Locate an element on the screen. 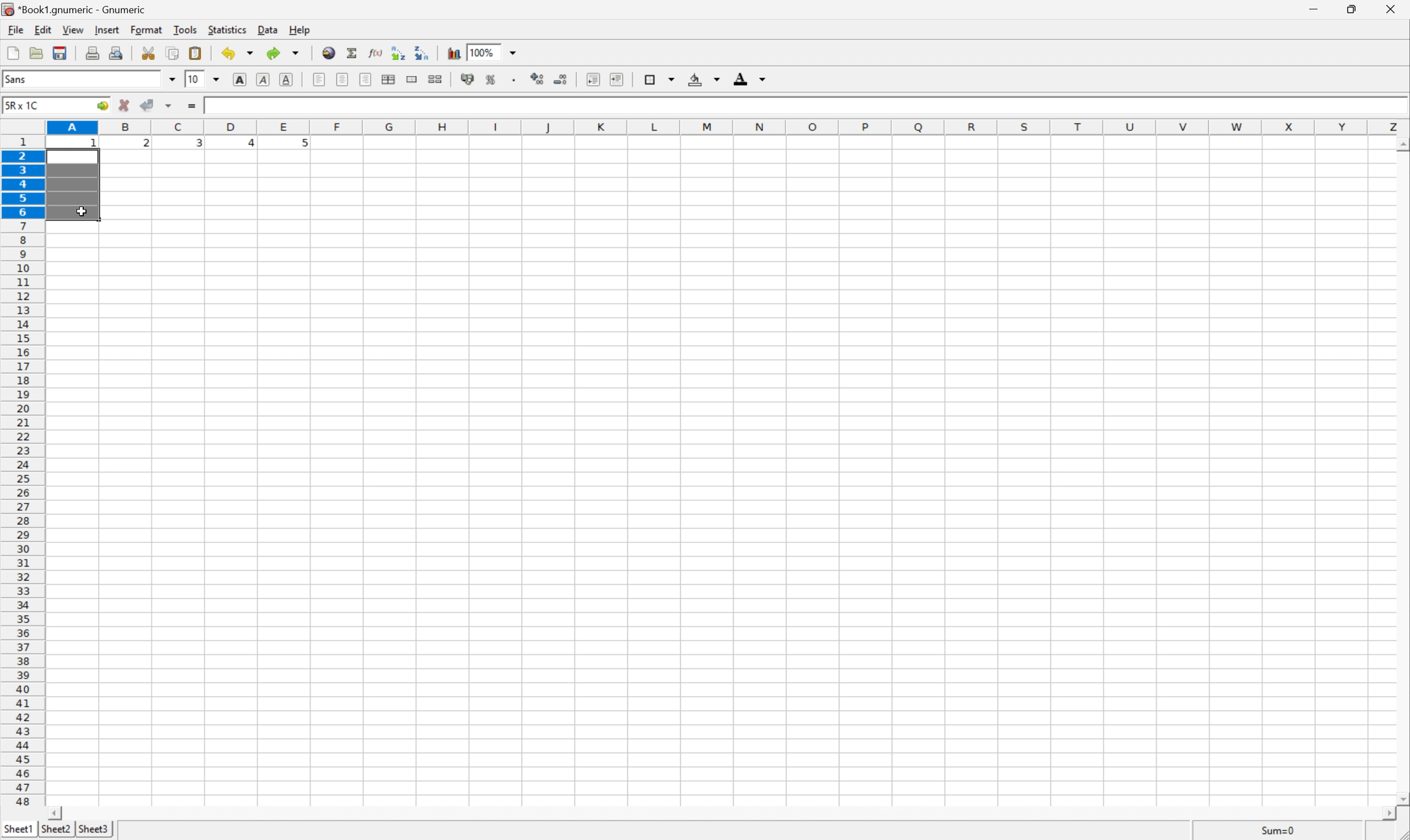 The width and height of the screenshot is (1410, 840). sheet2 is located at coordinates (57, 832).